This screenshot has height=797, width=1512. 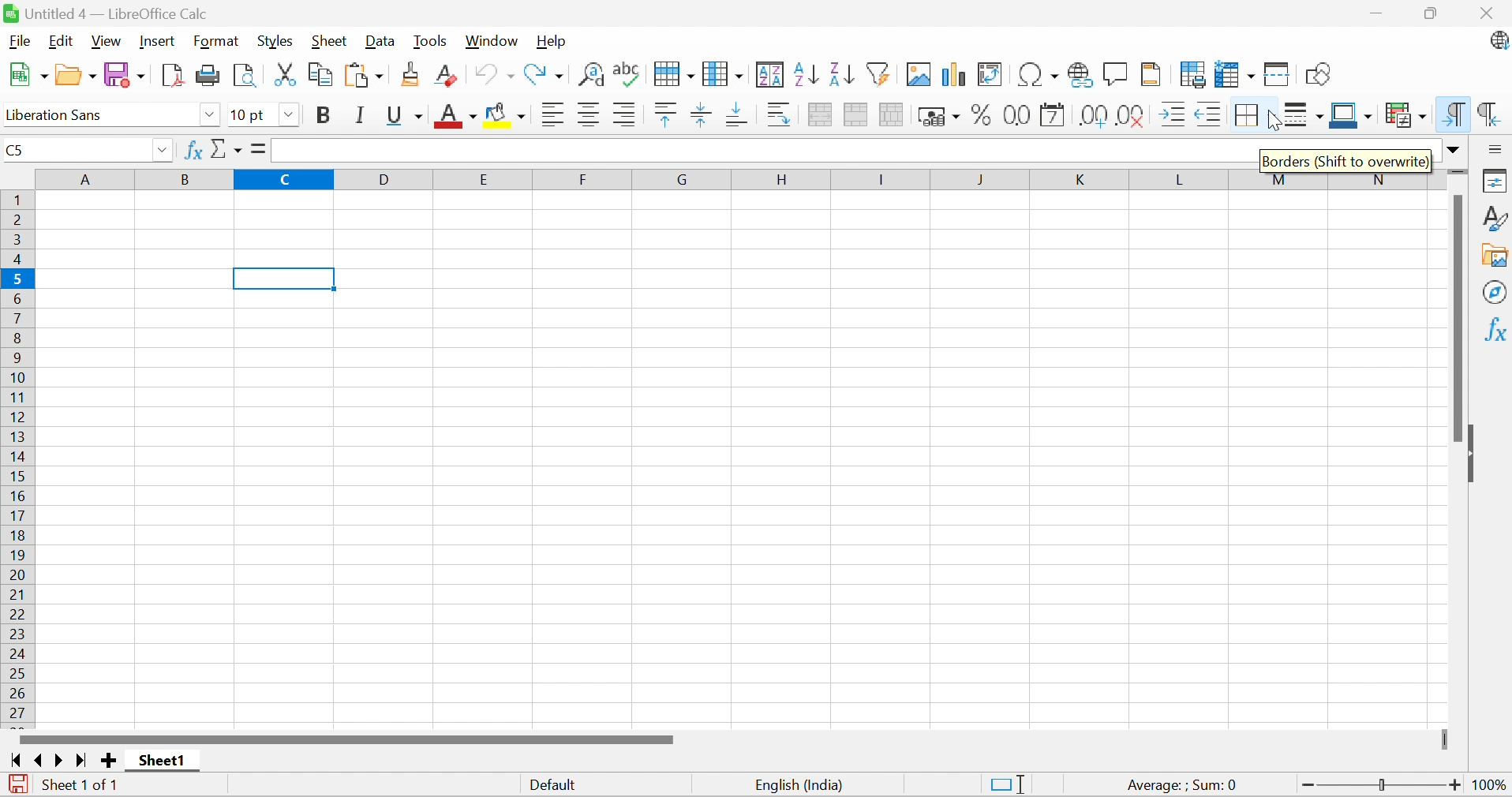 I want to click on Navigator, so click(x=1496, y=291).